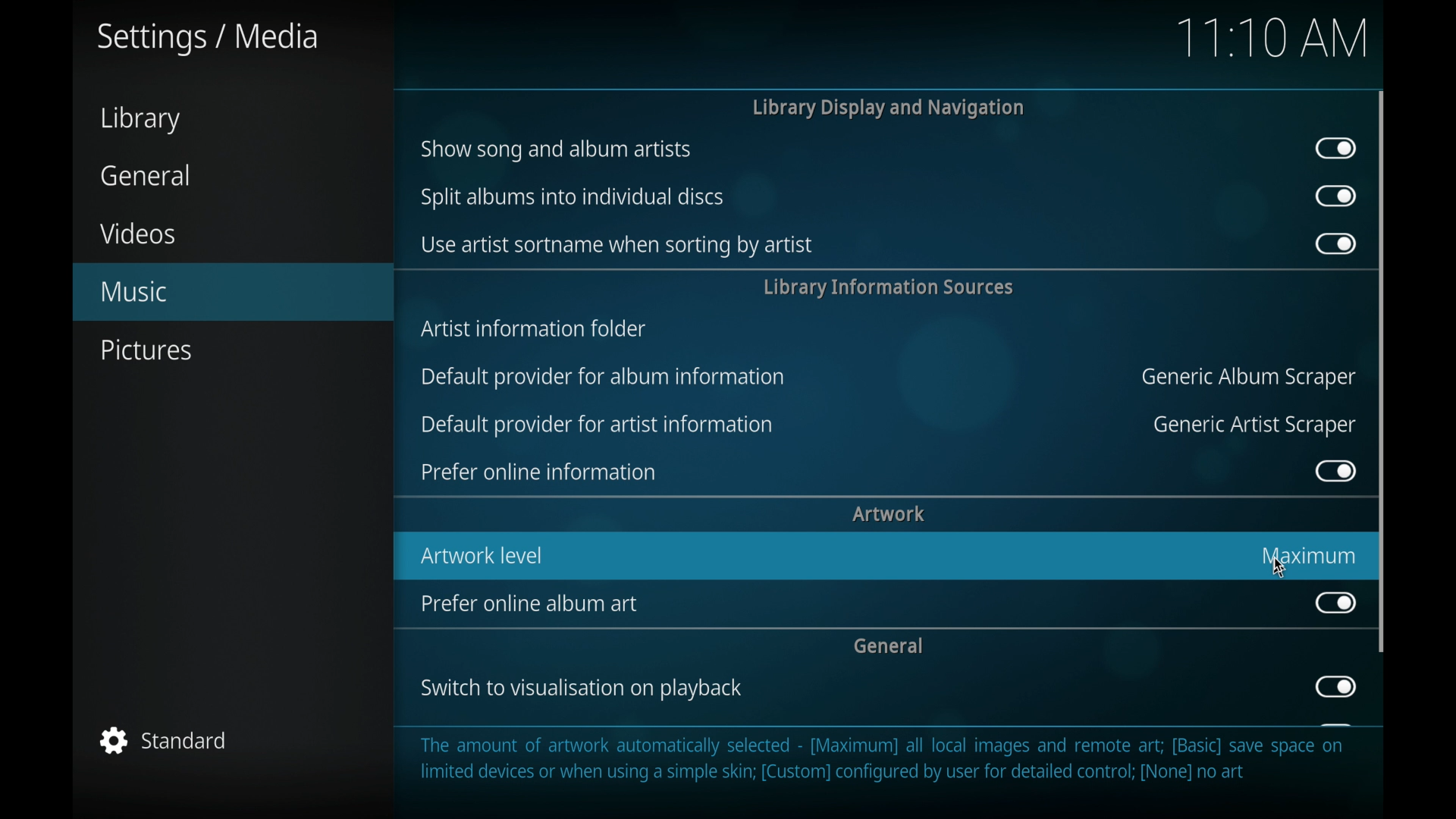 This screenshot has height=819, width=1456. What do you see at coordinates (1271, 39) in the screenshot?
I see `time` at bounding box center [1271, 39].